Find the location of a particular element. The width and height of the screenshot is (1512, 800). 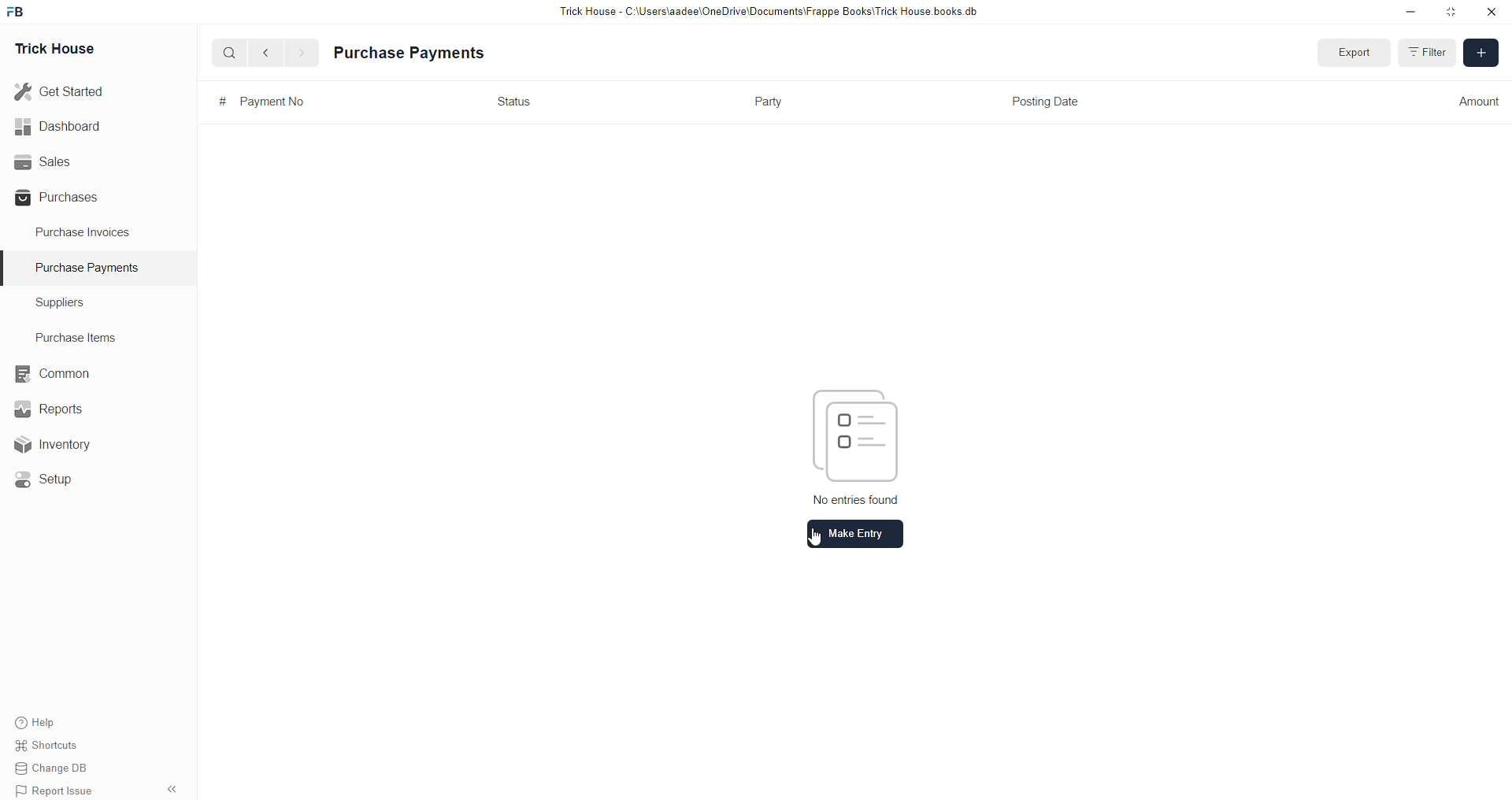

FILTER is located at coordinates (1427, 51).